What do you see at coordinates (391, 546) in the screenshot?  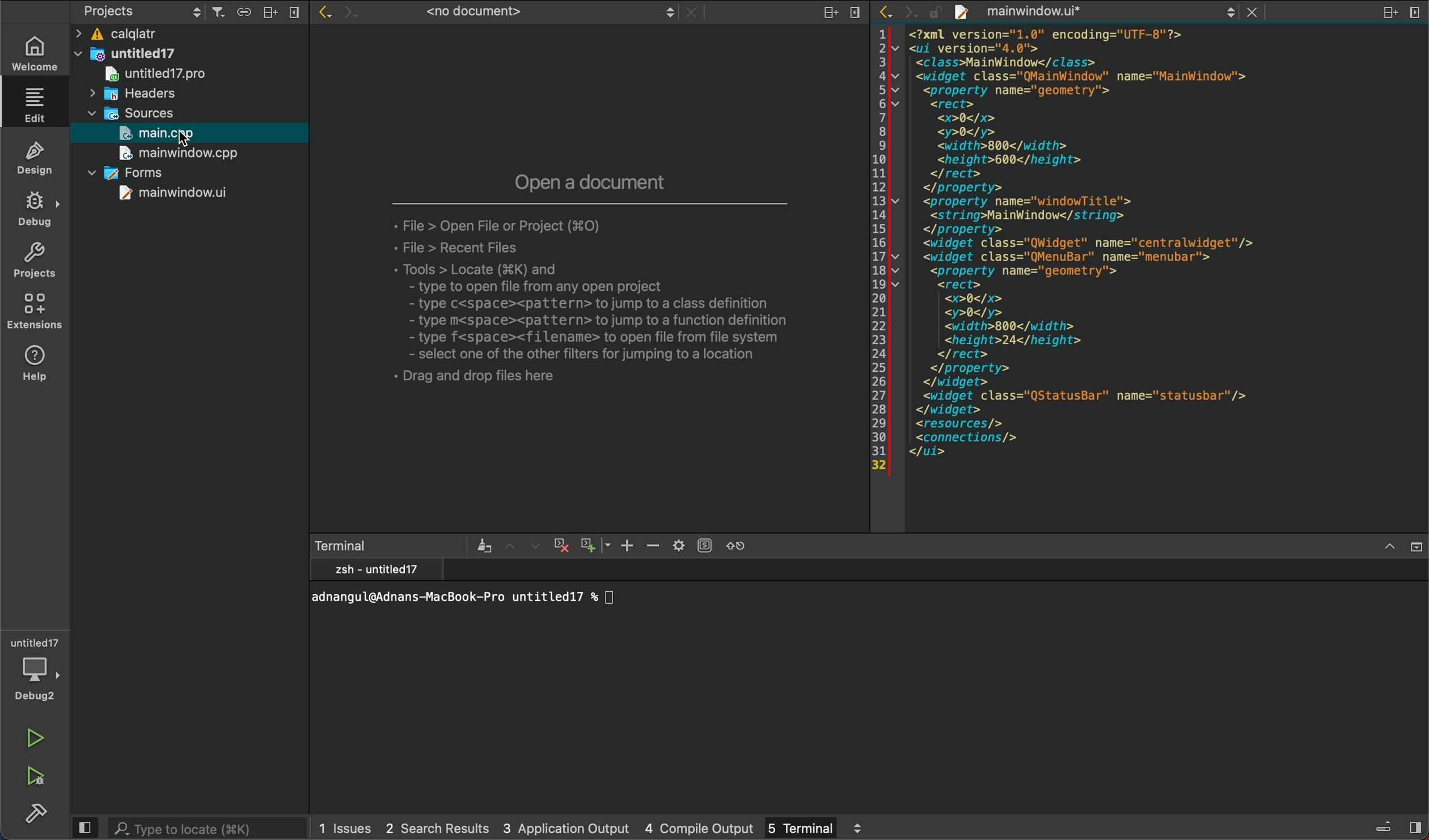 I see `terminal` at bounding box center [391, 546].